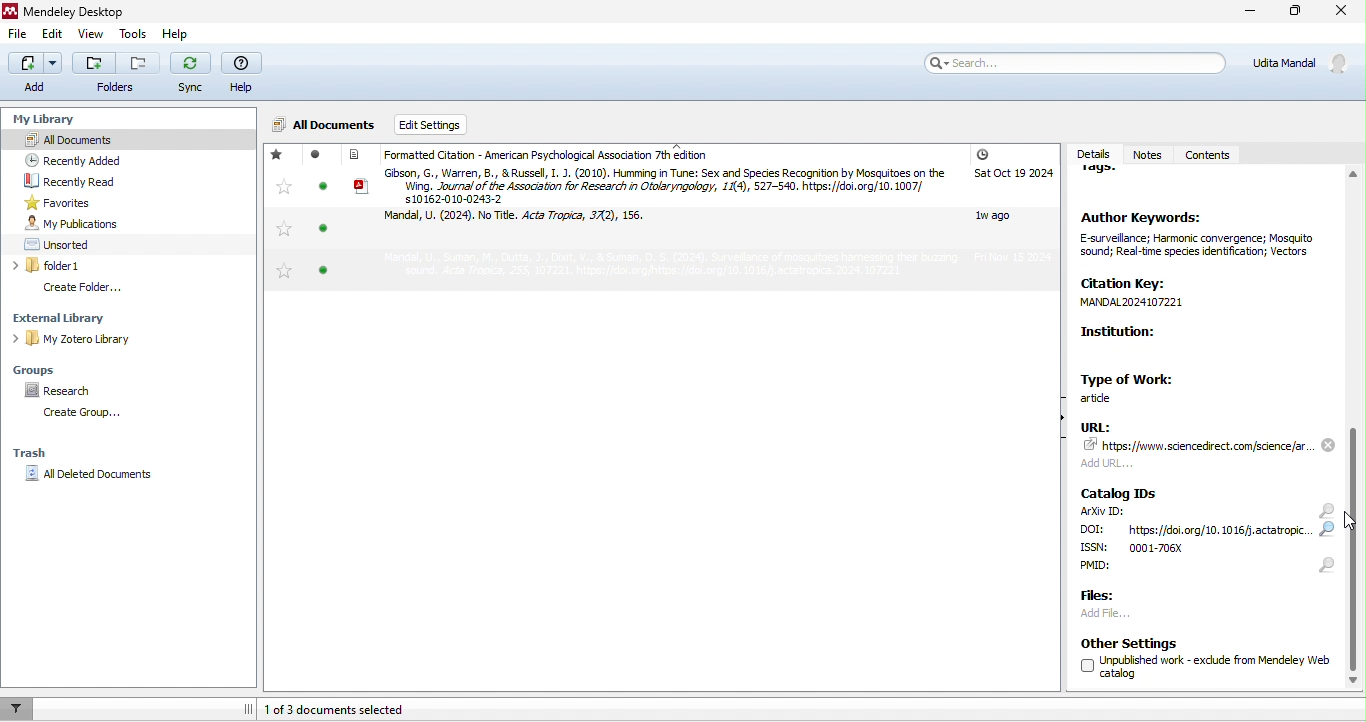 The width and height of the screenshot is (1366, 722). What do you see at coordinates (525, 221) in the screenshot?
I see `article by Mandal et al, 2024` at bounding box center [525, 221].